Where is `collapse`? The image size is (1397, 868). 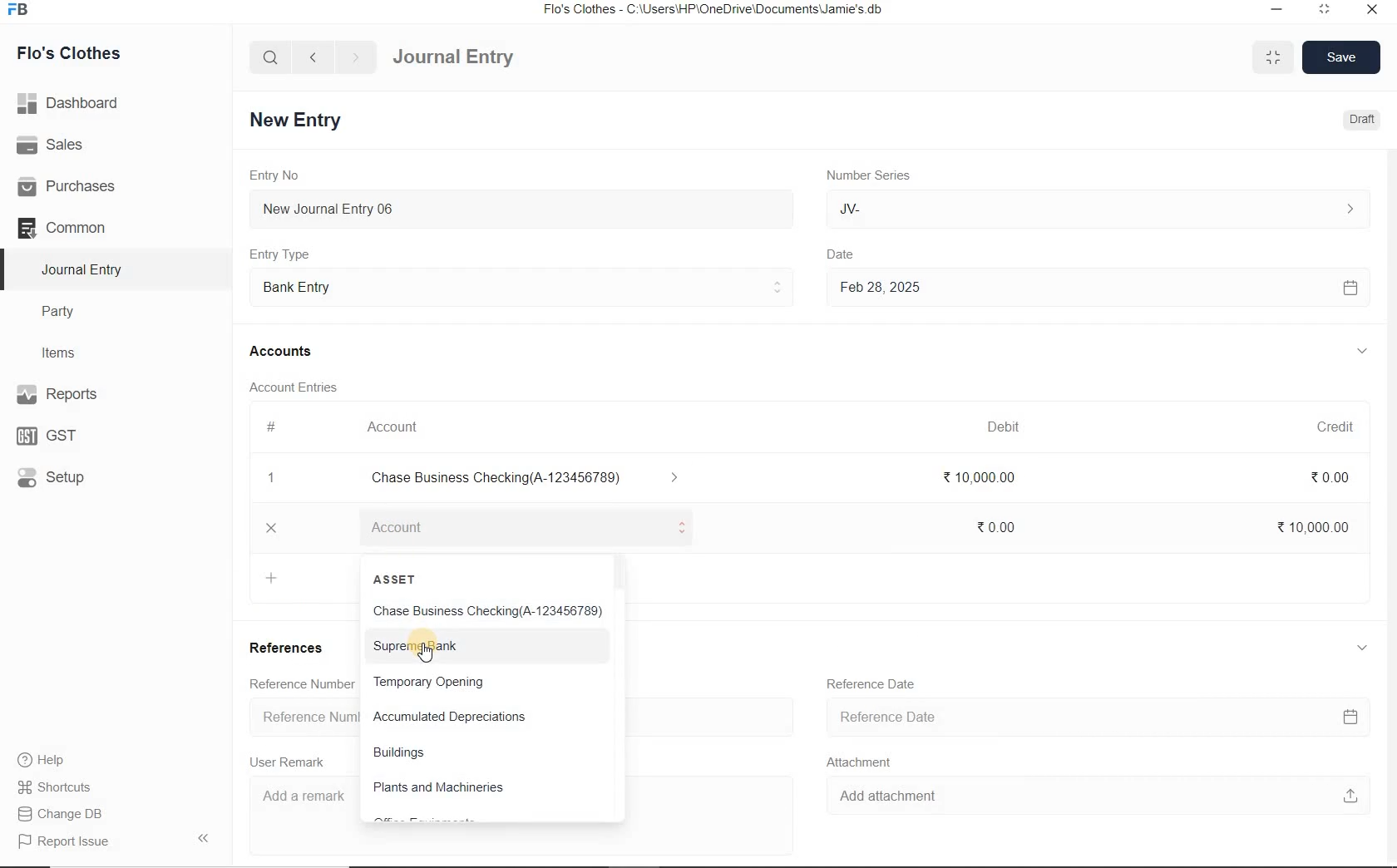
collapse is located at coordinates (1362, 351).